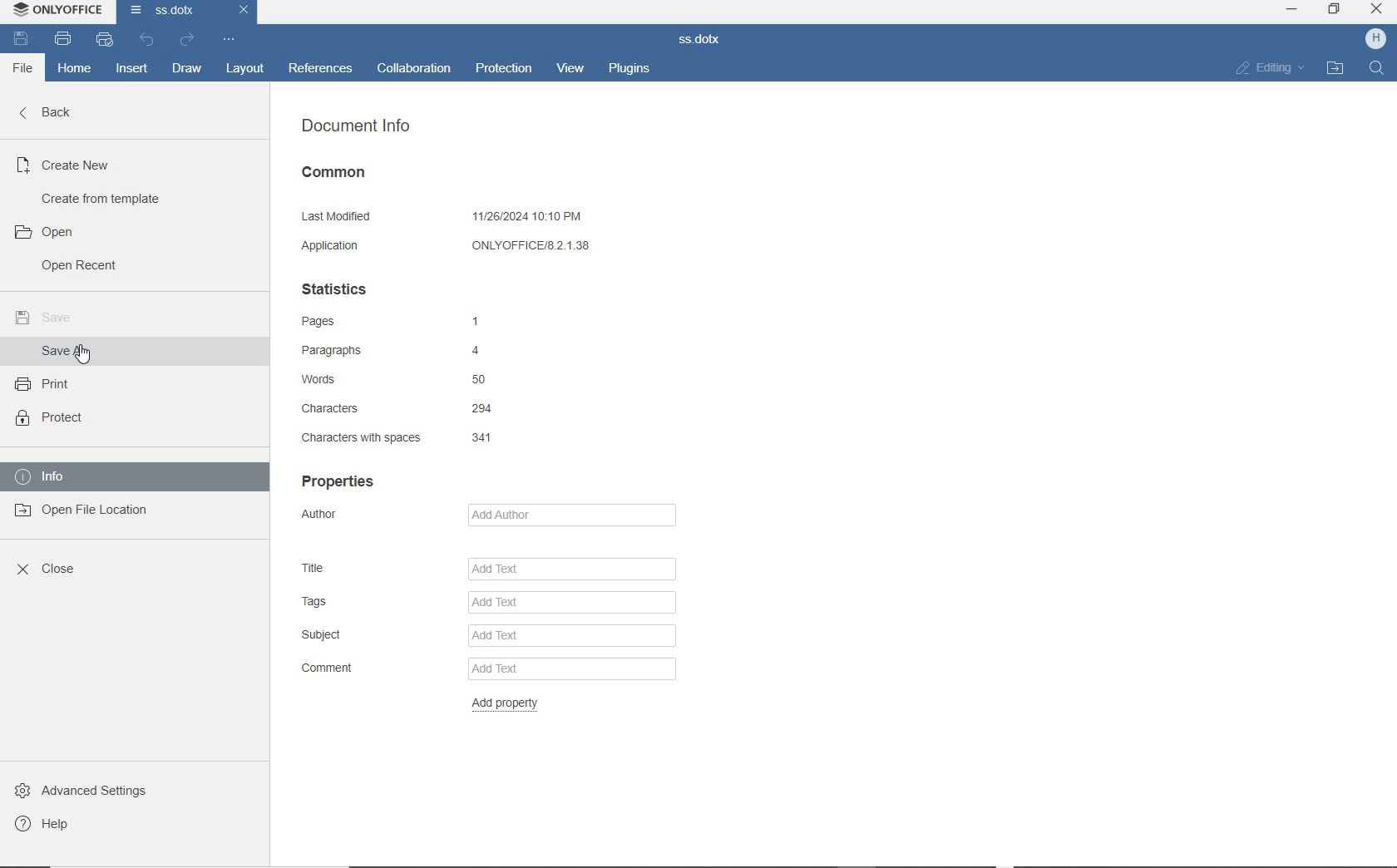 The width and height of the screenshot is (1397, 868). What do you see at coordinates (52, 478) in the screenshot?
I see `INFO` at bounding box center [52, 478].